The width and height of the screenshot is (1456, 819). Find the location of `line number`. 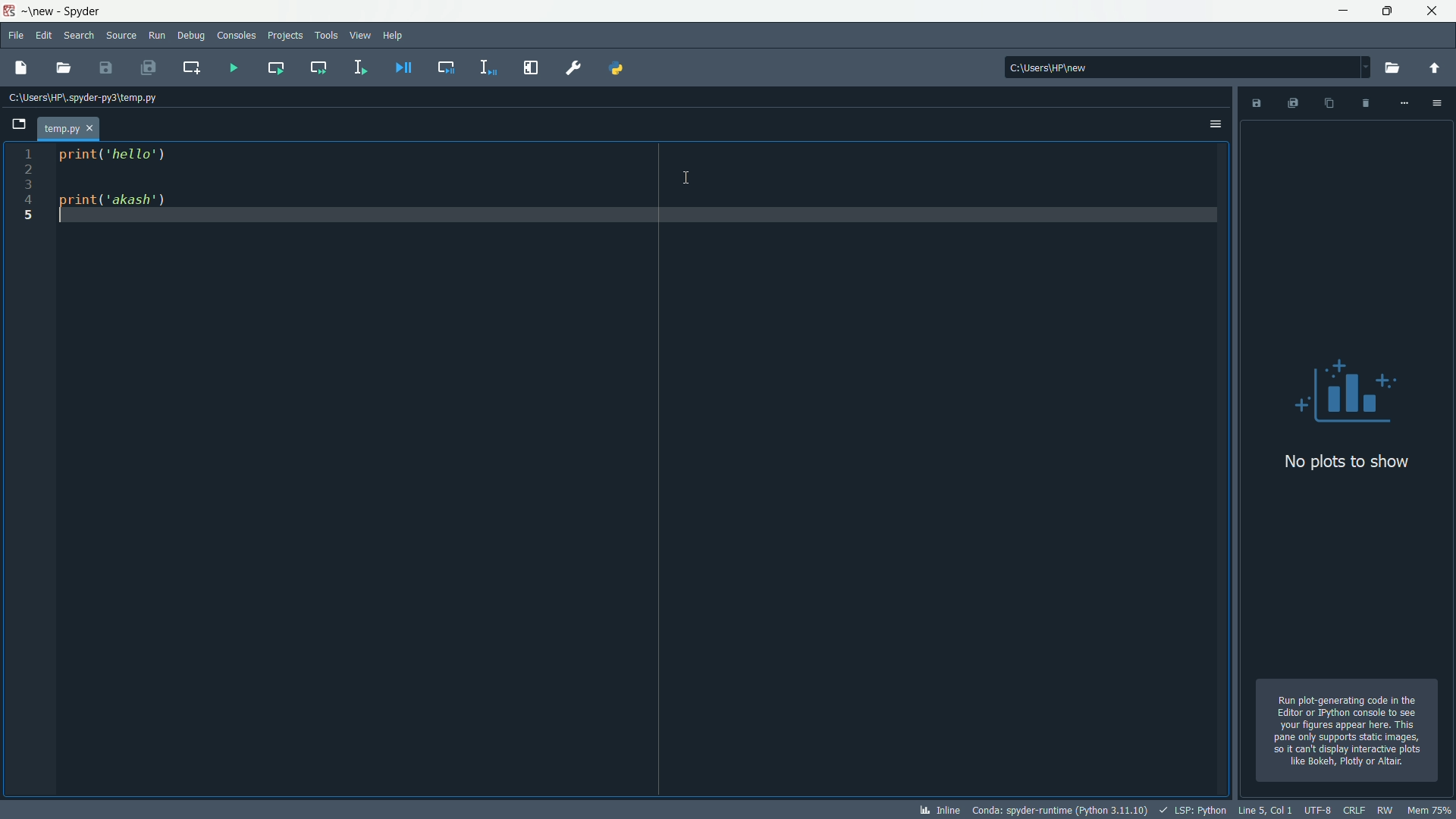

line number is located at coordinates (26, 187).